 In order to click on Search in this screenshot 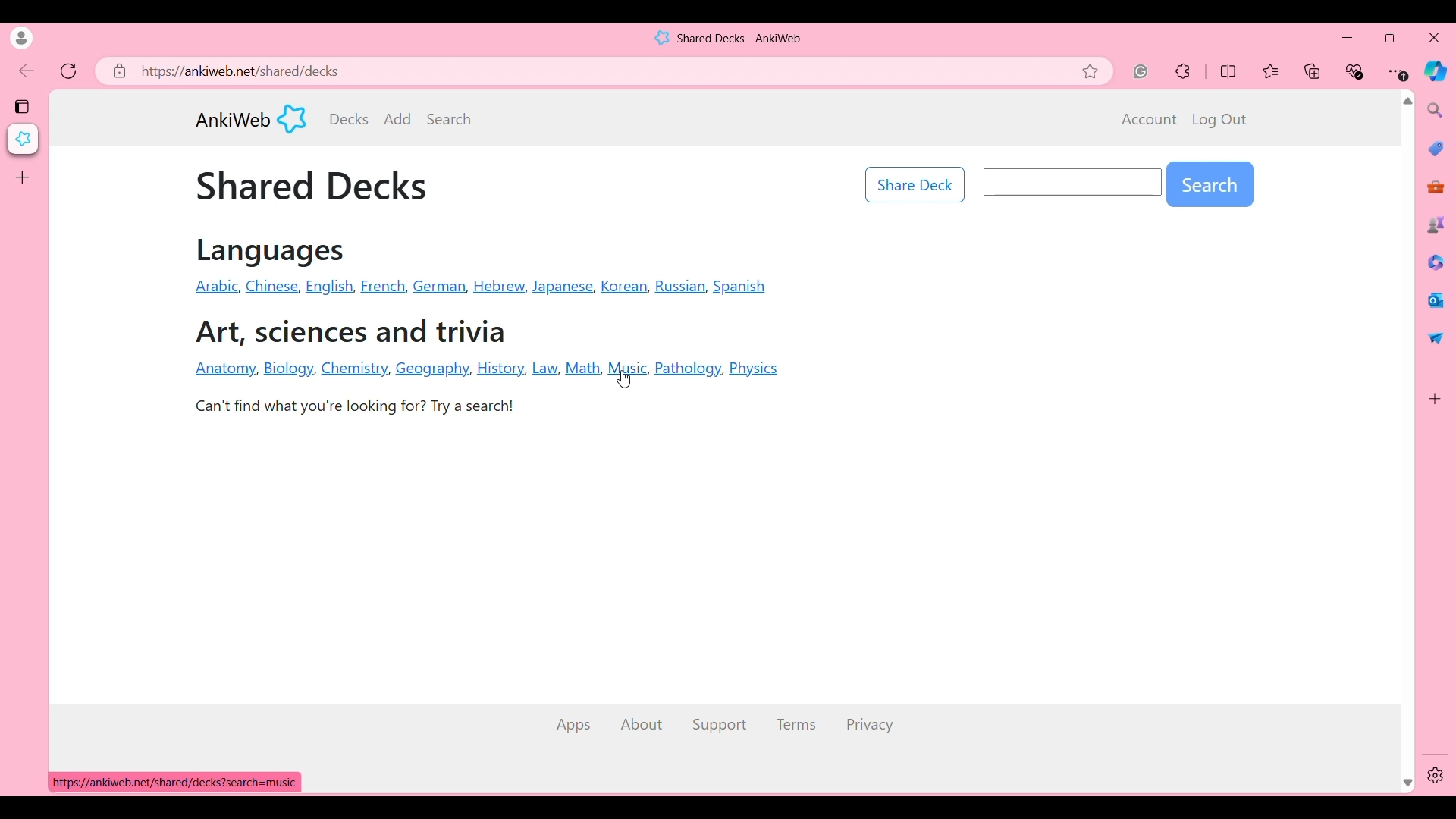, I will do `click(1436, 110)`.